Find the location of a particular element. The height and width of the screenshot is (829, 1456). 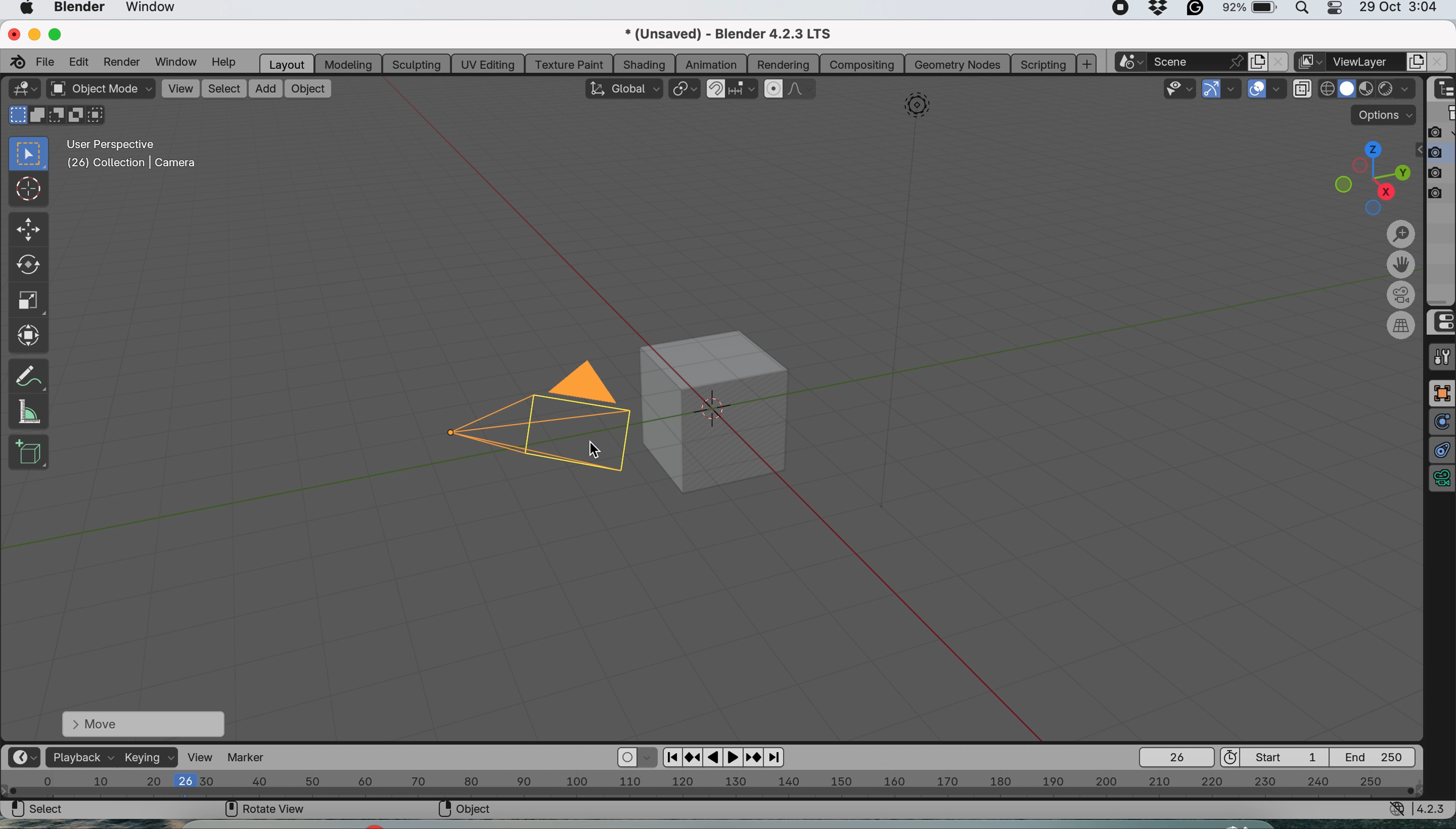

layout is located at coordinates (285, 63).